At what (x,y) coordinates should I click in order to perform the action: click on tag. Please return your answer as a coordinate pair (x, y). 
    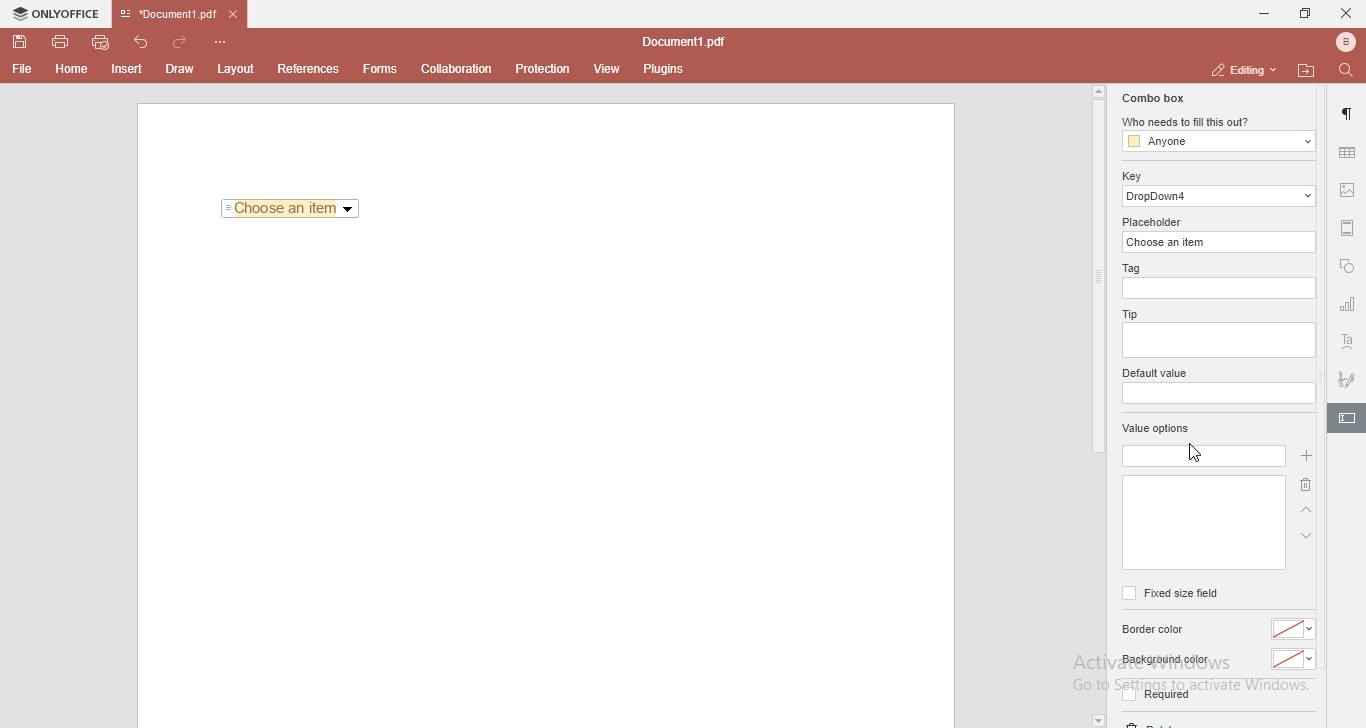
    Looking at the image, I should click on (1129, 269).